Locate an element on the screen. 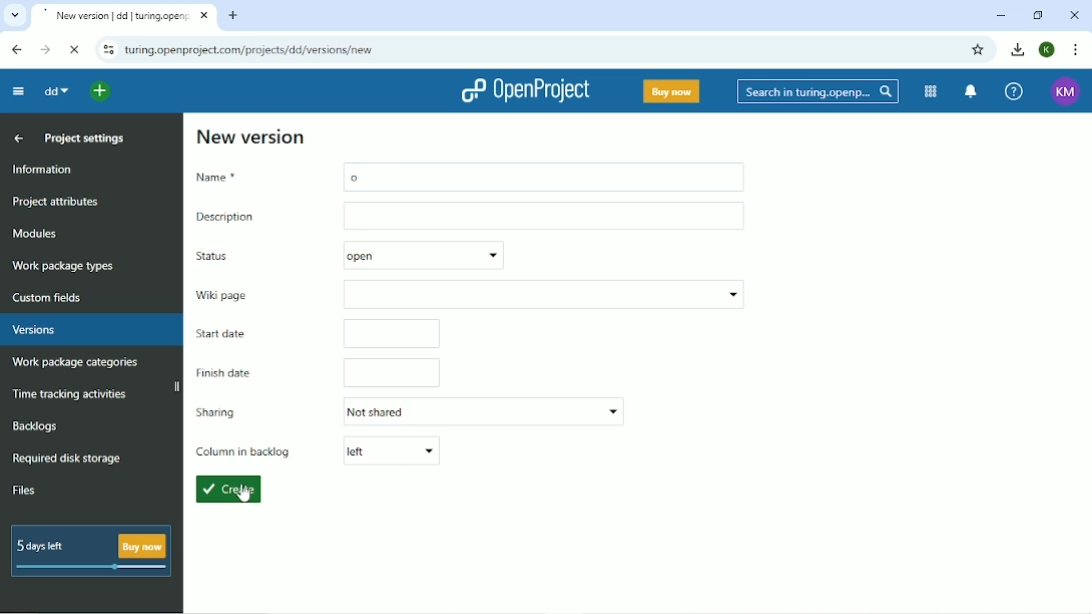 This screenshot has width=1092, height=614. Information is located at coordinates (47, 169).